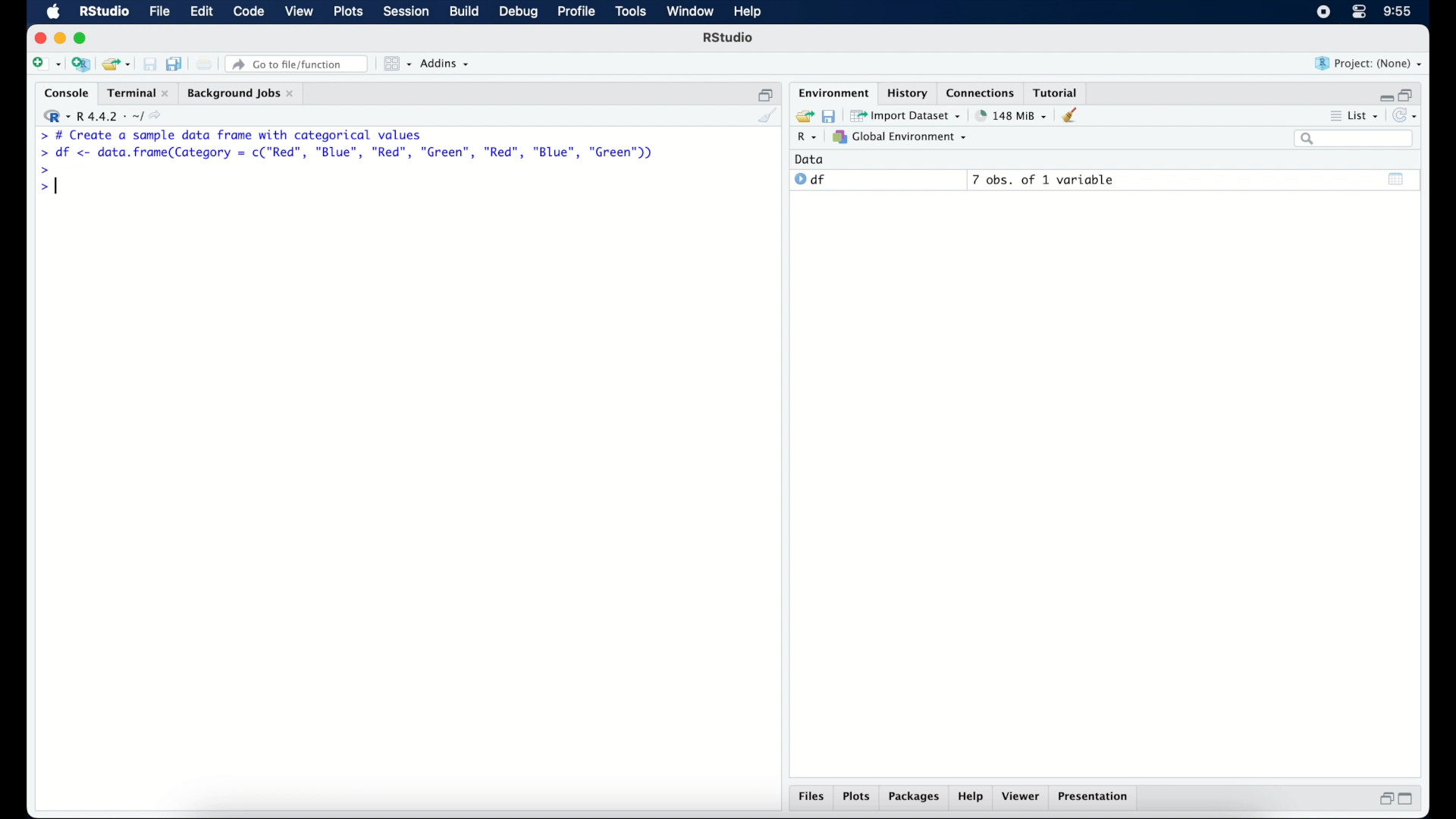 Image resolution: width=1456 pixels, height=819 pixels. I want to click on > df <- data.frame(Category = c("Red”, "Blue", "Red", "Green", "Red", "Blue", "Green"))|, so click(349, 153).